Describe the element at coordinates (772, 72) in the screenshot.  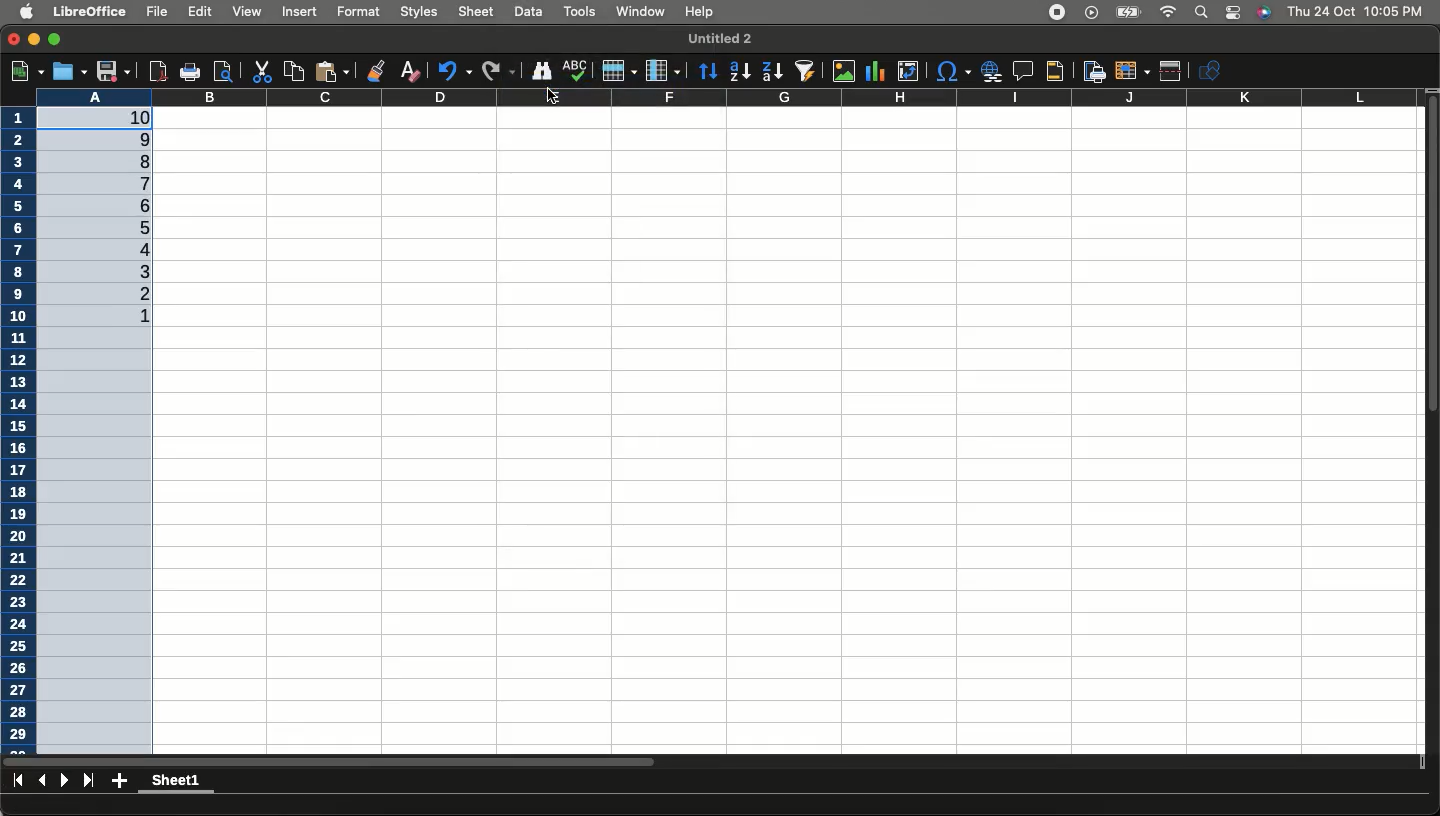
I see `Sort descending` at that location.